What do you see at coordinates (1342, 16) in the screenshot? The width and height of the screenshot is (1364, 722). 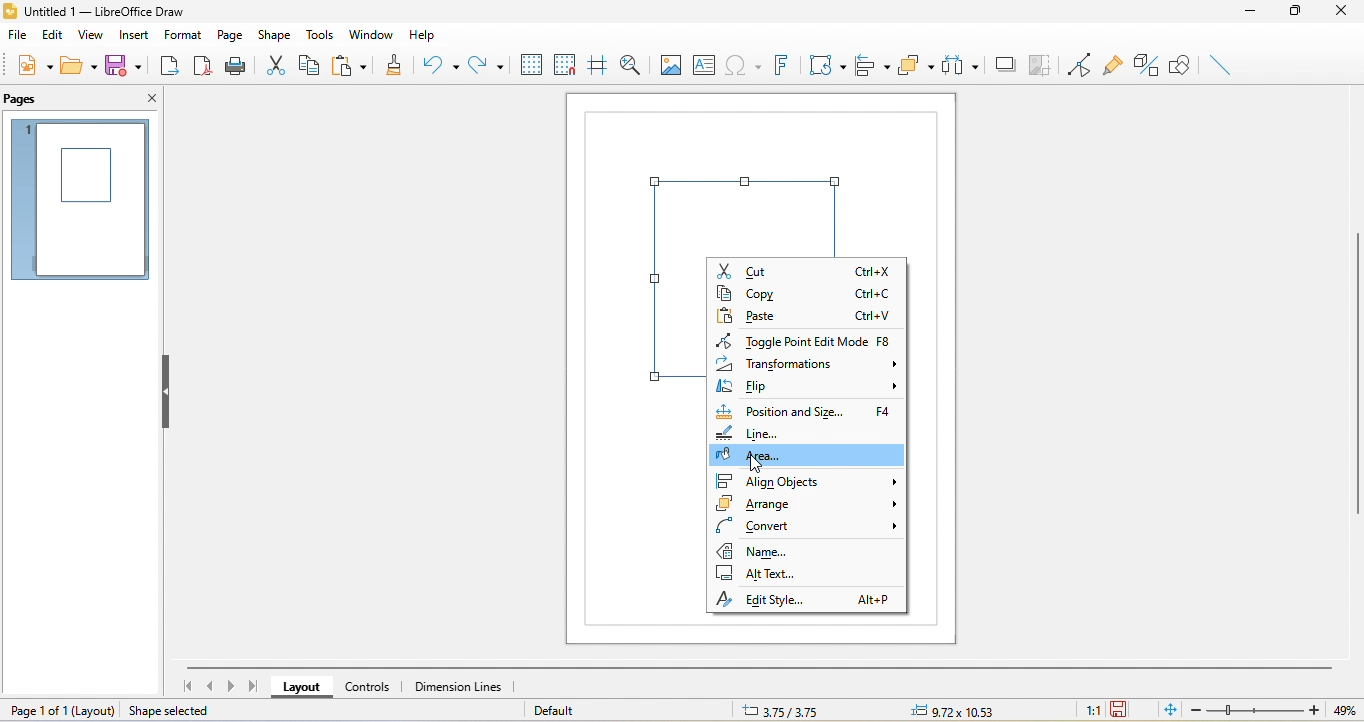 I see `close` at bounding box center [1342, 16].